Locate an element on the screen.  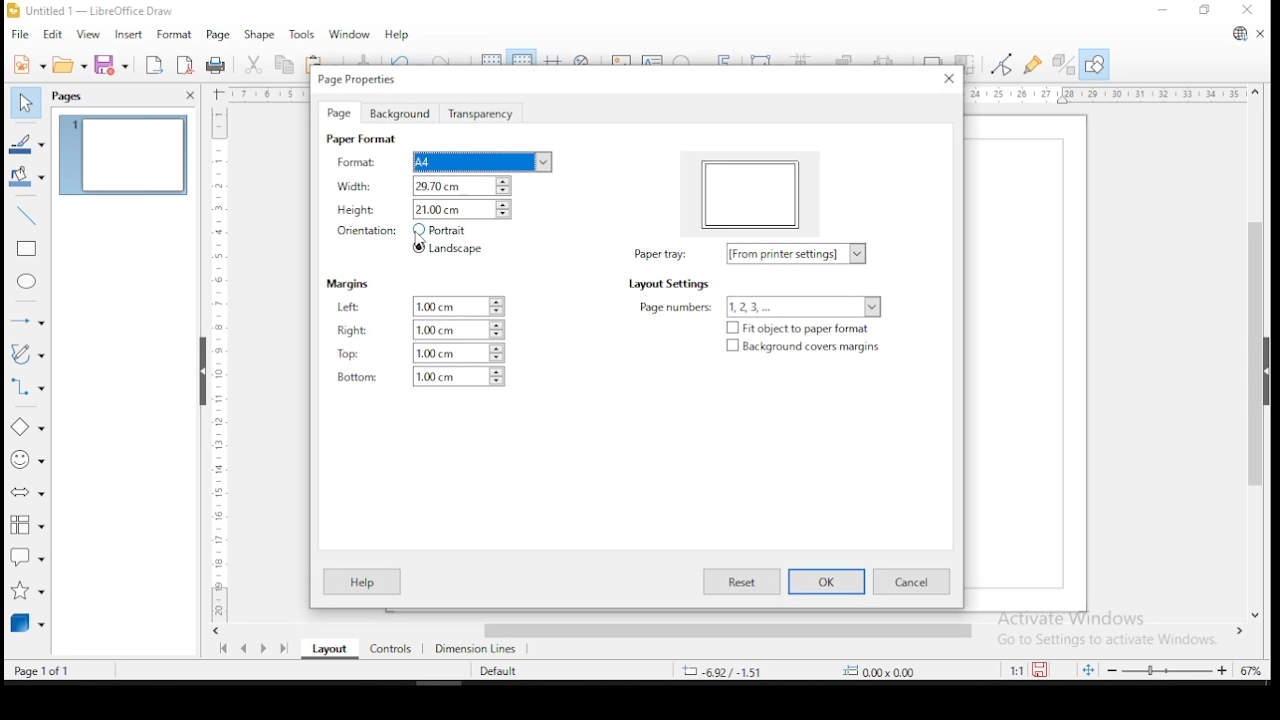
flowchart is located at coordinates (27, 527).